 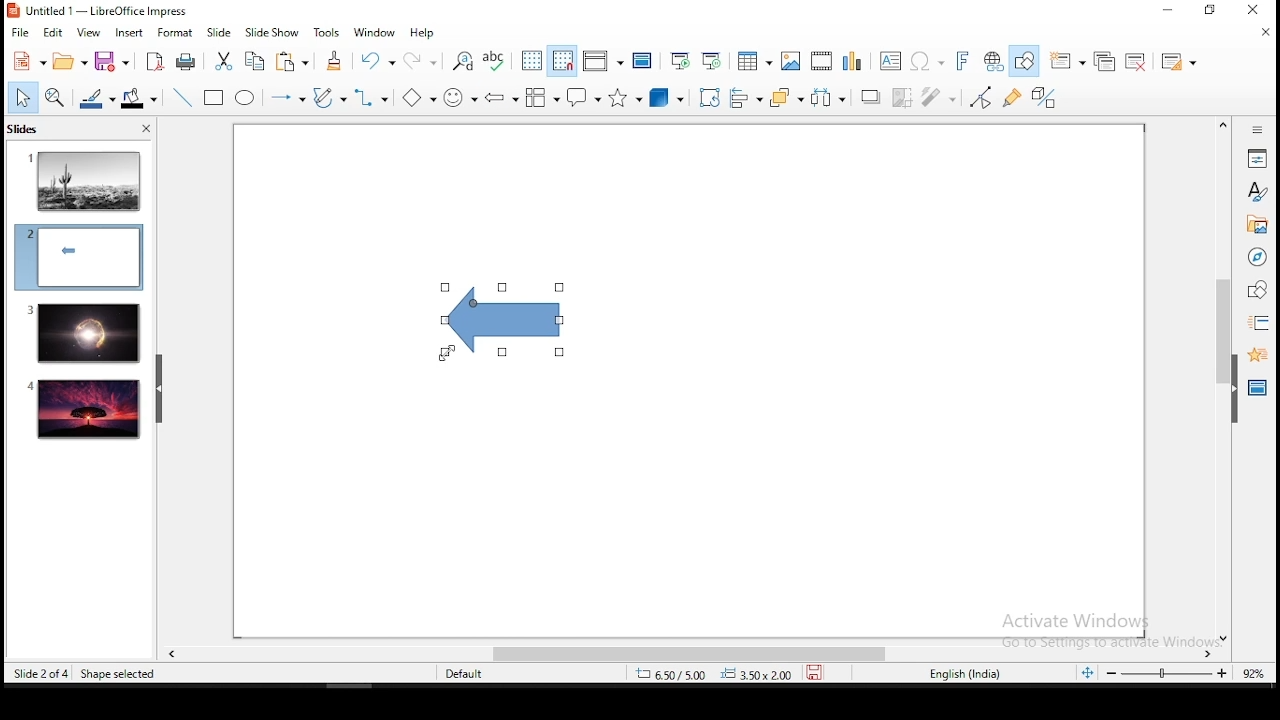 I want to click on print, so click(x=187, y=61).